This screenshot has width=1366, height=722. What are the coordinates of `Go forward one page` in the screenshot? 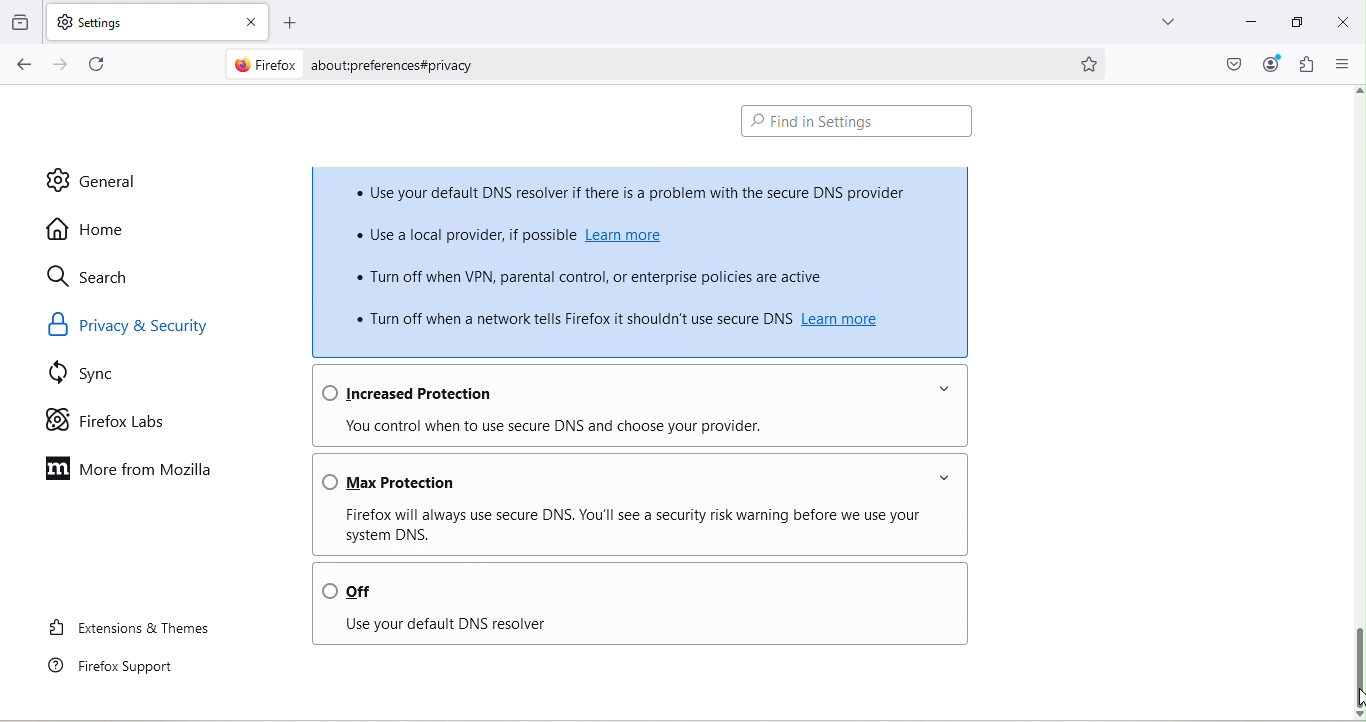 It's located at (59, 65).